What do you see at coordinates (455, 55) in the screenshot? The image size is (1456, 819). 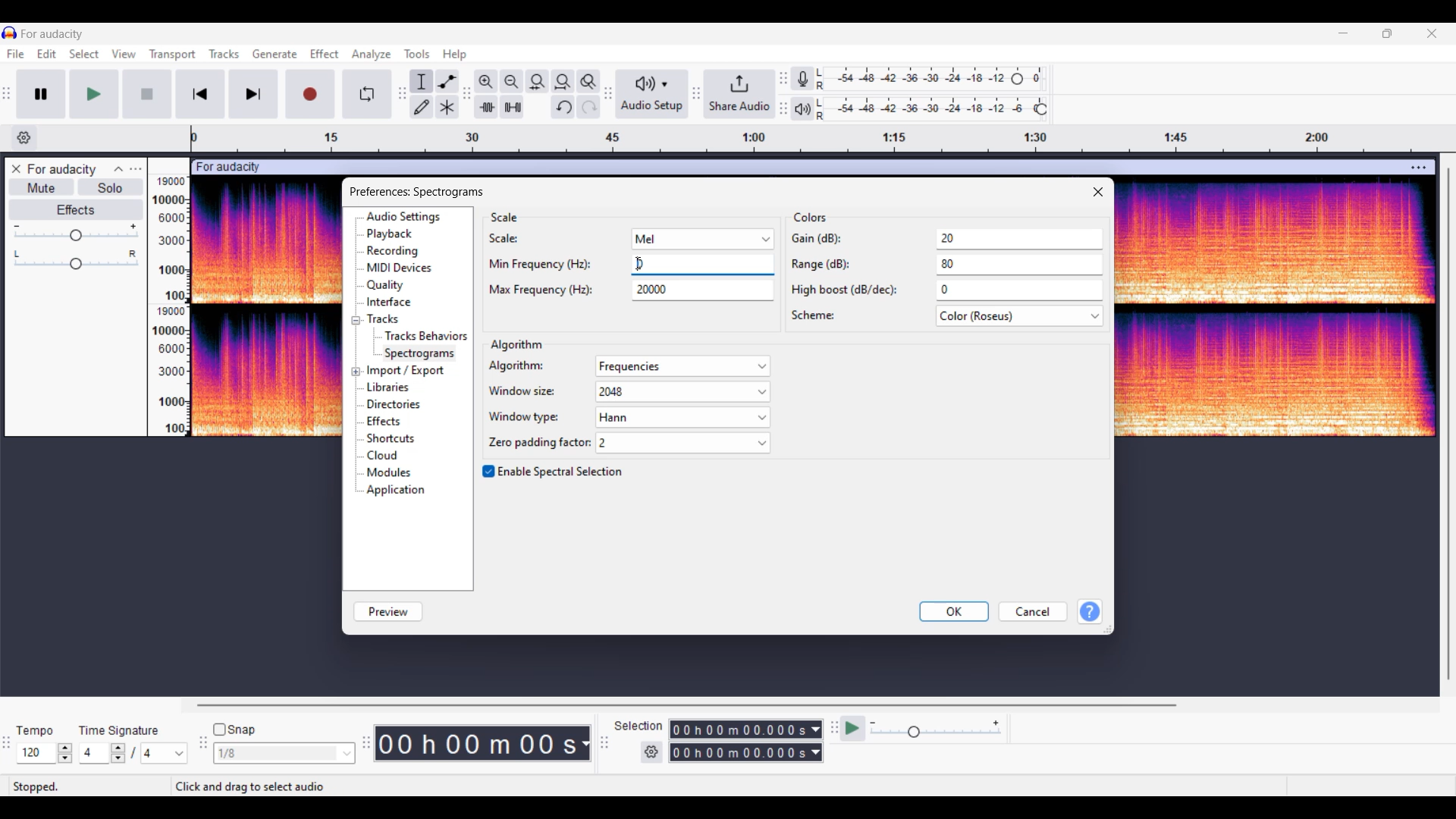 I see `Help menu` at bounding box center [455, 55].